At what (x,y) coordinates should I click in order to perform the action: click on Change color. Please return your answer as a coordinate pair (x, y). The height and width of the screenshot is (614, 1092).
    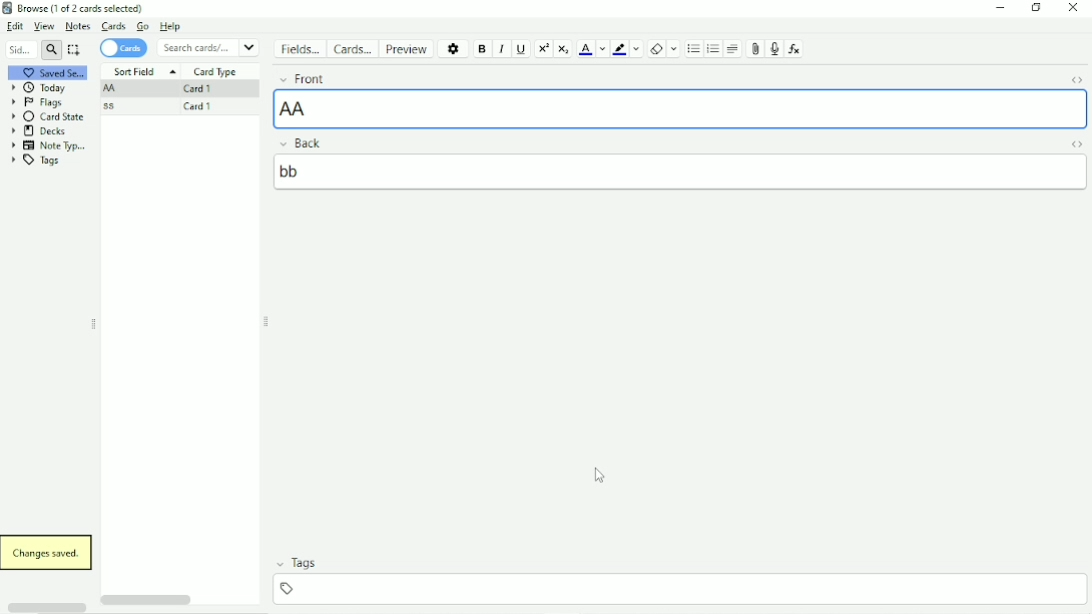
    Looking at the image, I should click on (602, 49).